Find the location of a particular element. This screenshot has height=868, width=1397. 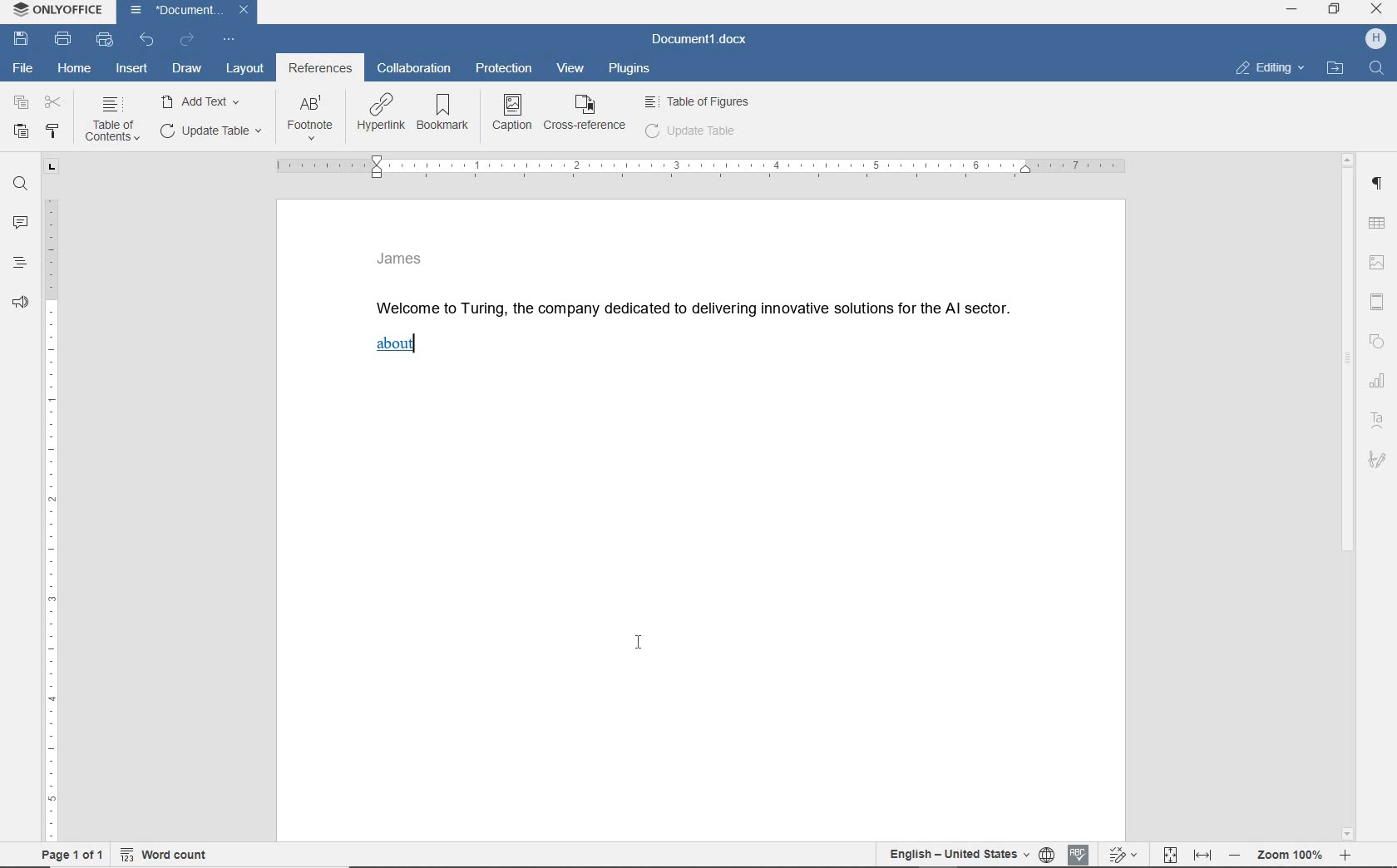

document name is located at coordinates (699, 39).